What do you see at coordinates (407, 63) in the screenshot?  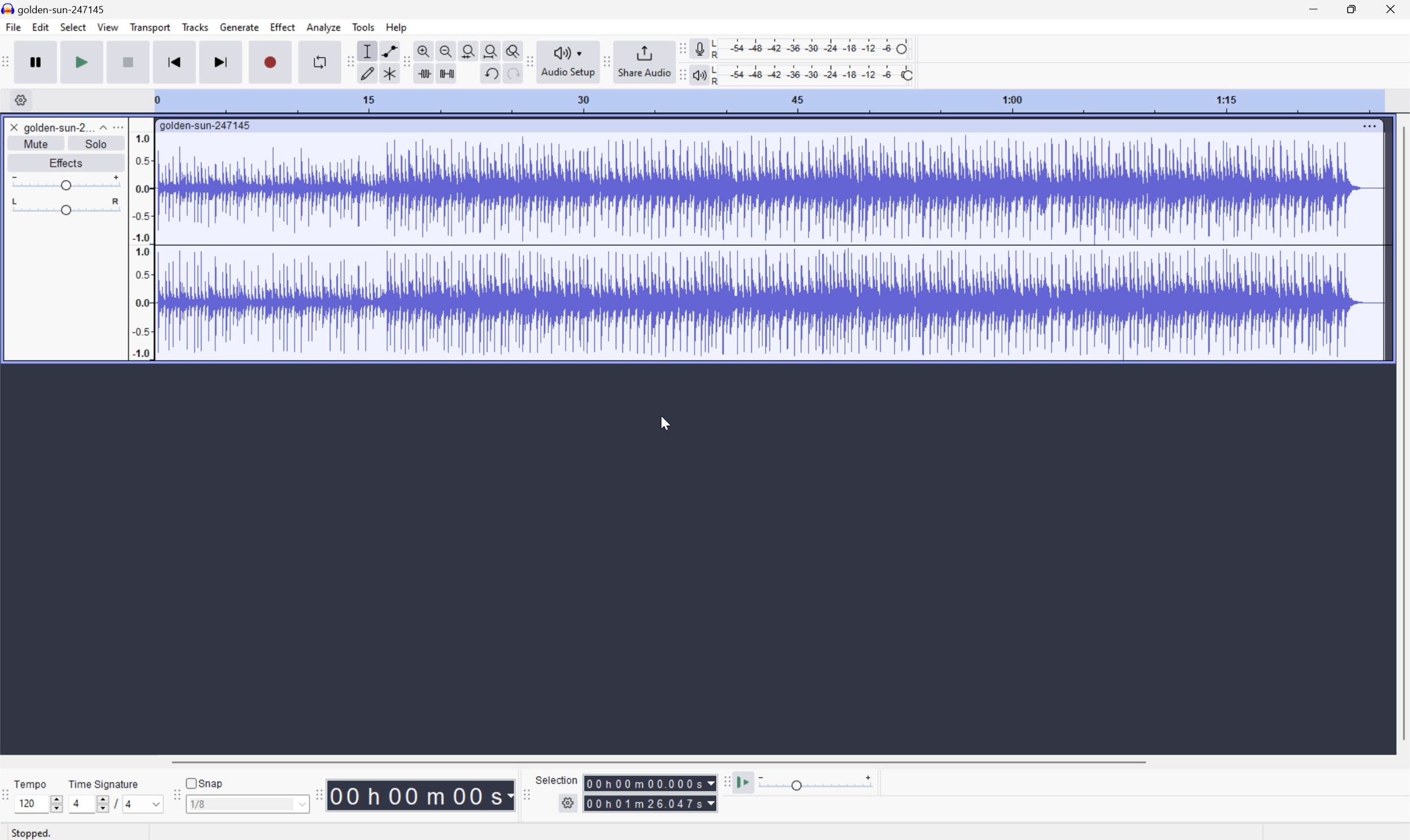 I see `Audacity edit toolbar` at bounding box center [407, 63].